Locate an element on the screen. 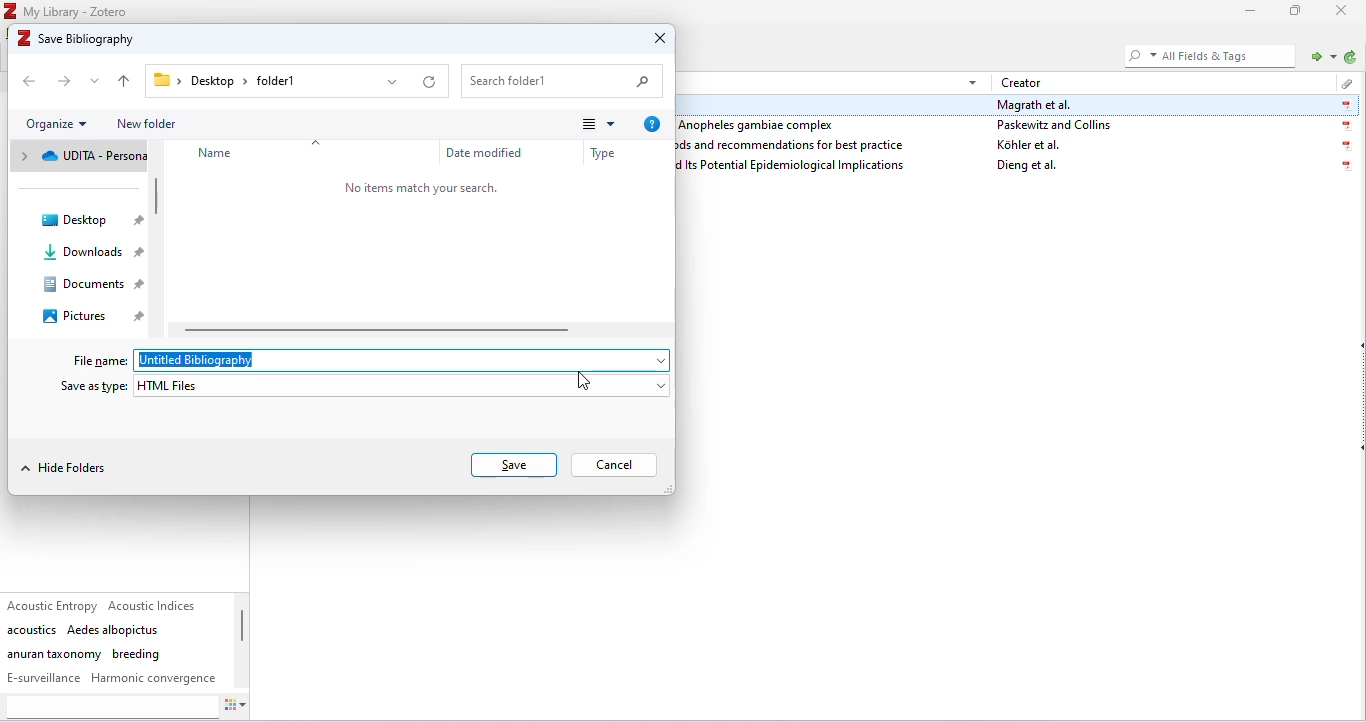 This screenshot has height=722, width=1366. documents is located at coordinates (97, 285).